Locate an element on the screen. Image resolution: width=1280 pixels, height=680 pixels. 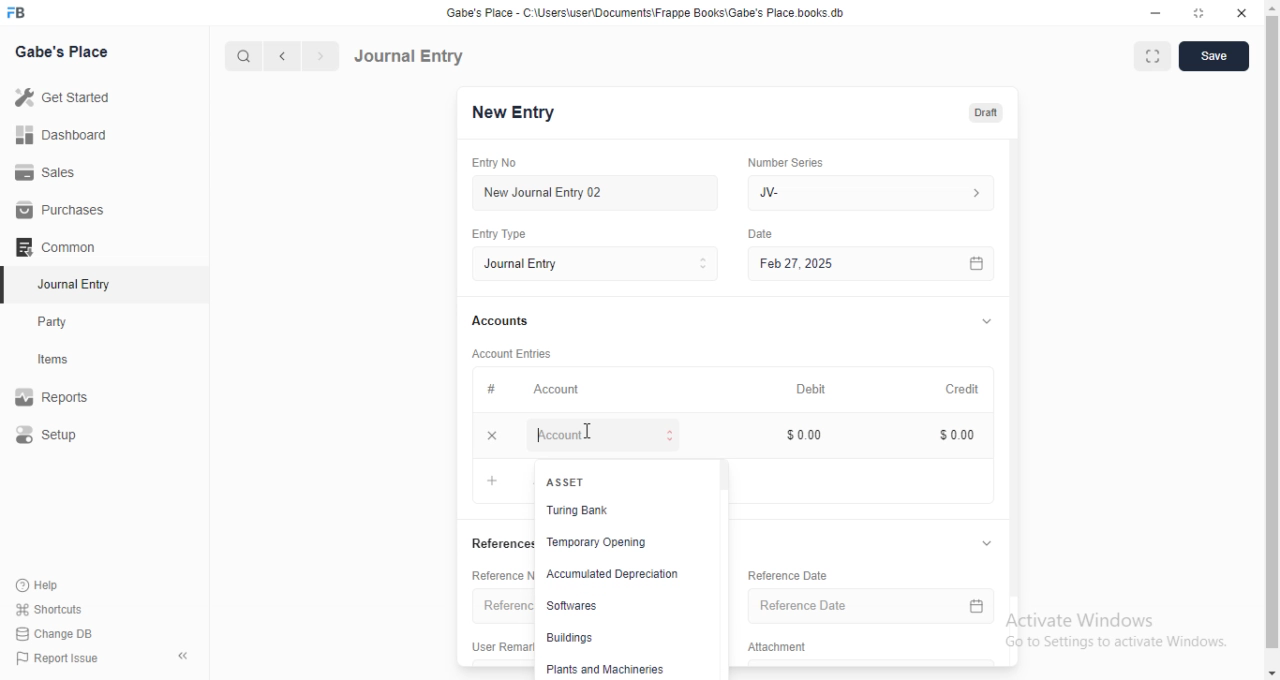
Reference Number is located at coordinates (496, 574).